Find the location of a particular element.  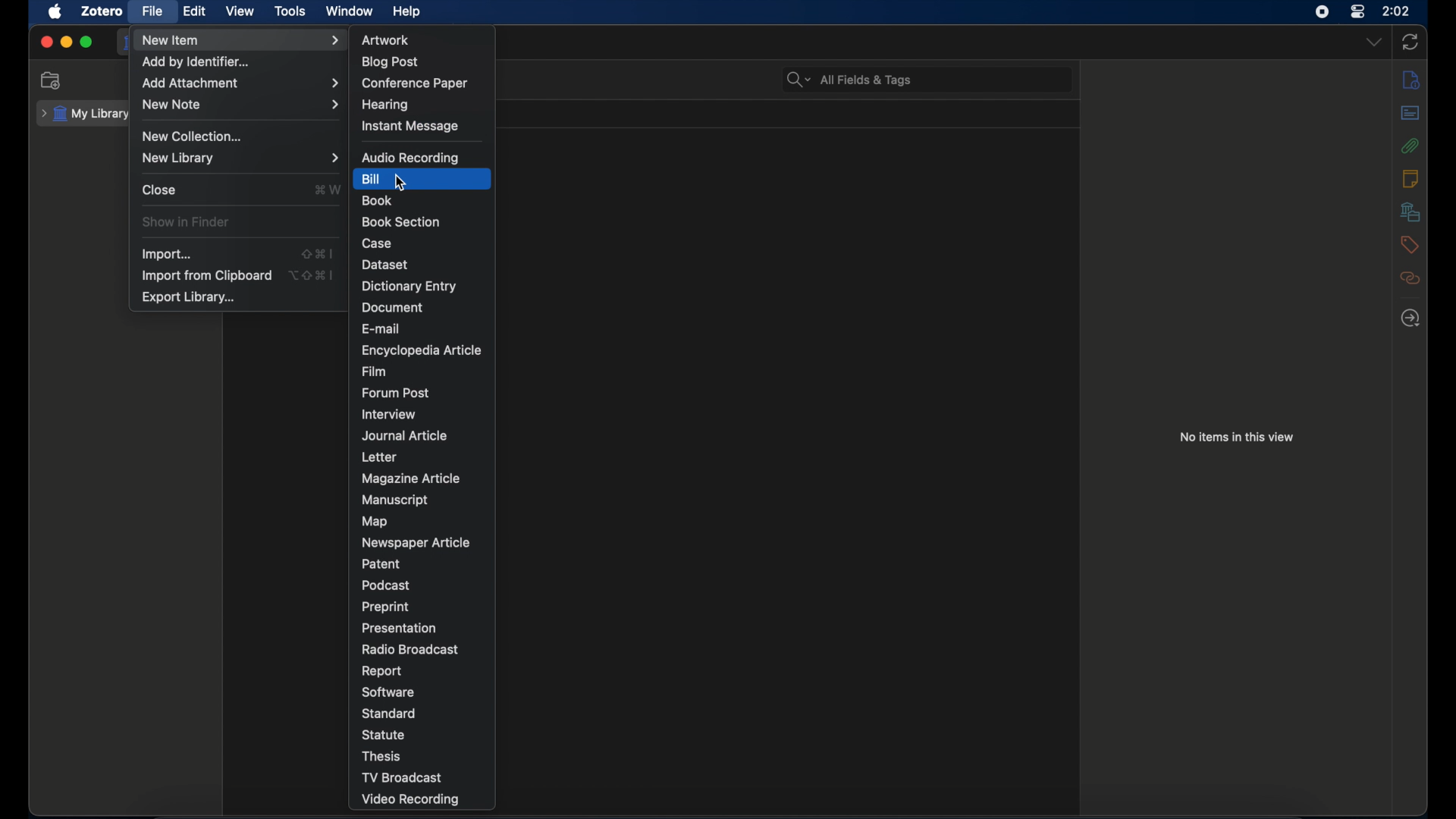

import from clipboard is located at coordinates (206, 275).